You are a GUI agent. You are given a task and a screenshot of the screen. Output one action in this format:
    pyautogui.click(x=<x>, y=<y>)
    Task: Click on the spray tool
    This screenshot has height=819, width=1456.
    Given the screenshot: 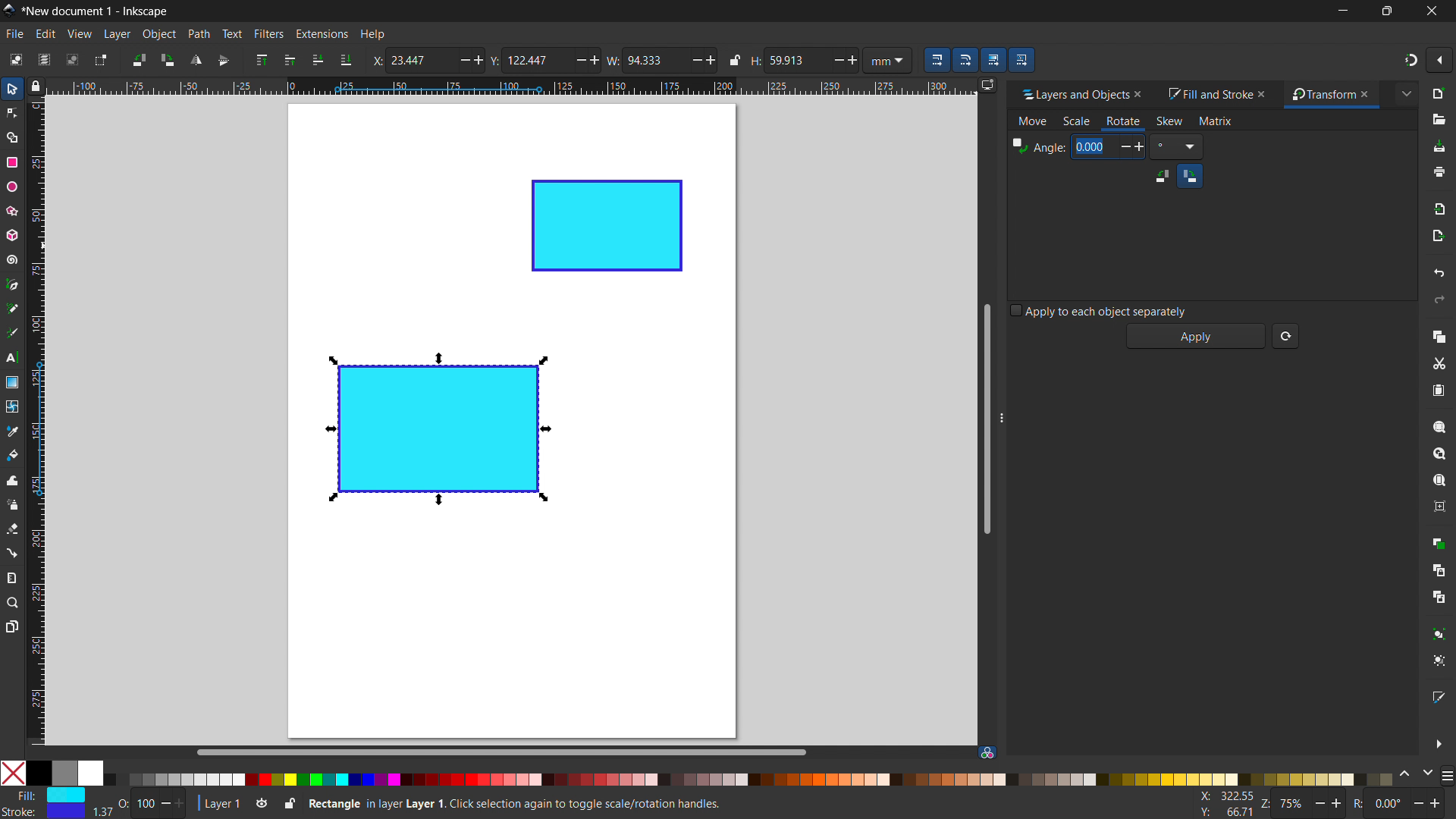 What is the action you would take?
    pyautogui.click(x=13, y=504)
    